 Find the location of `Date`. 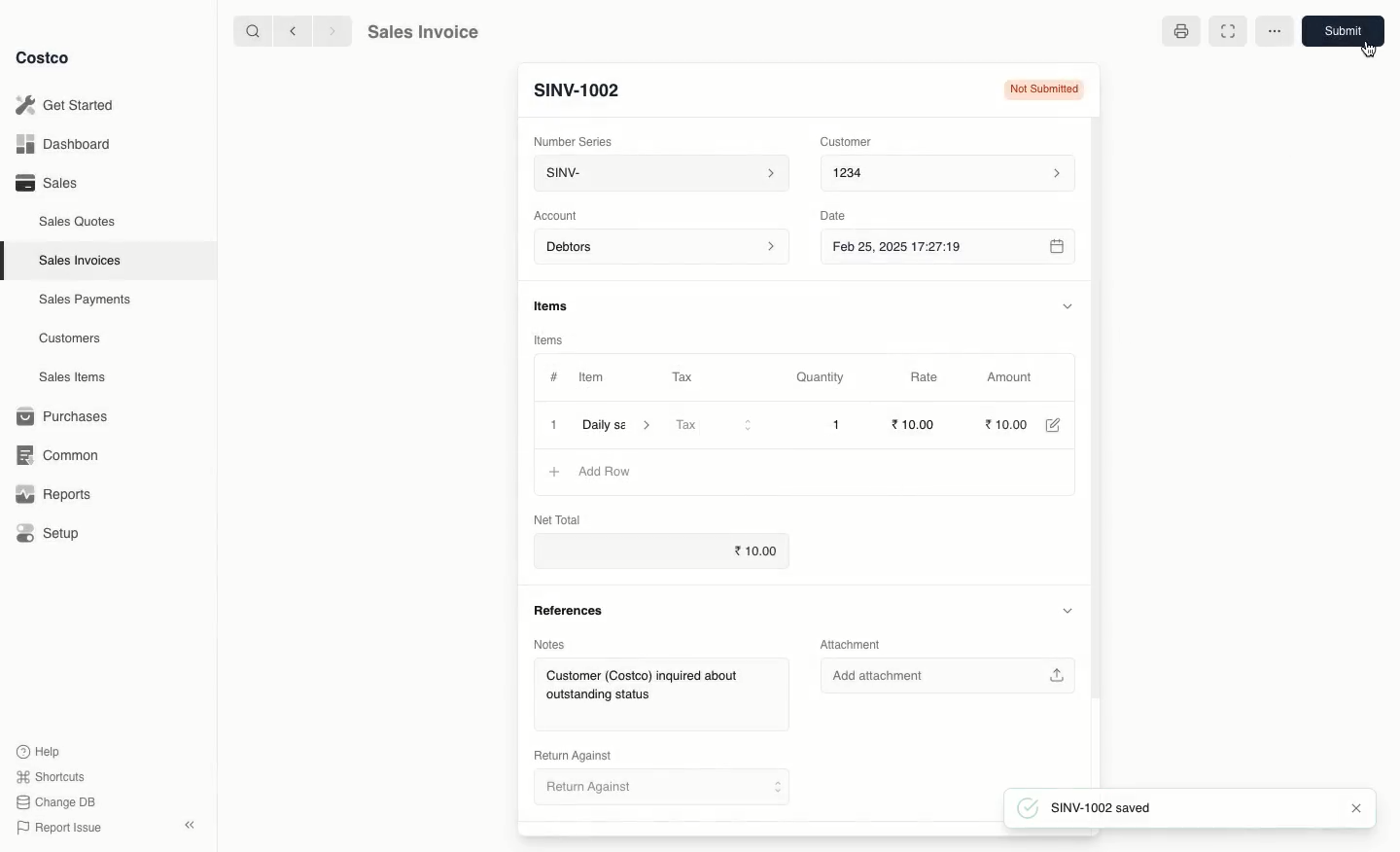

Date is located at coordinates (842, 218).